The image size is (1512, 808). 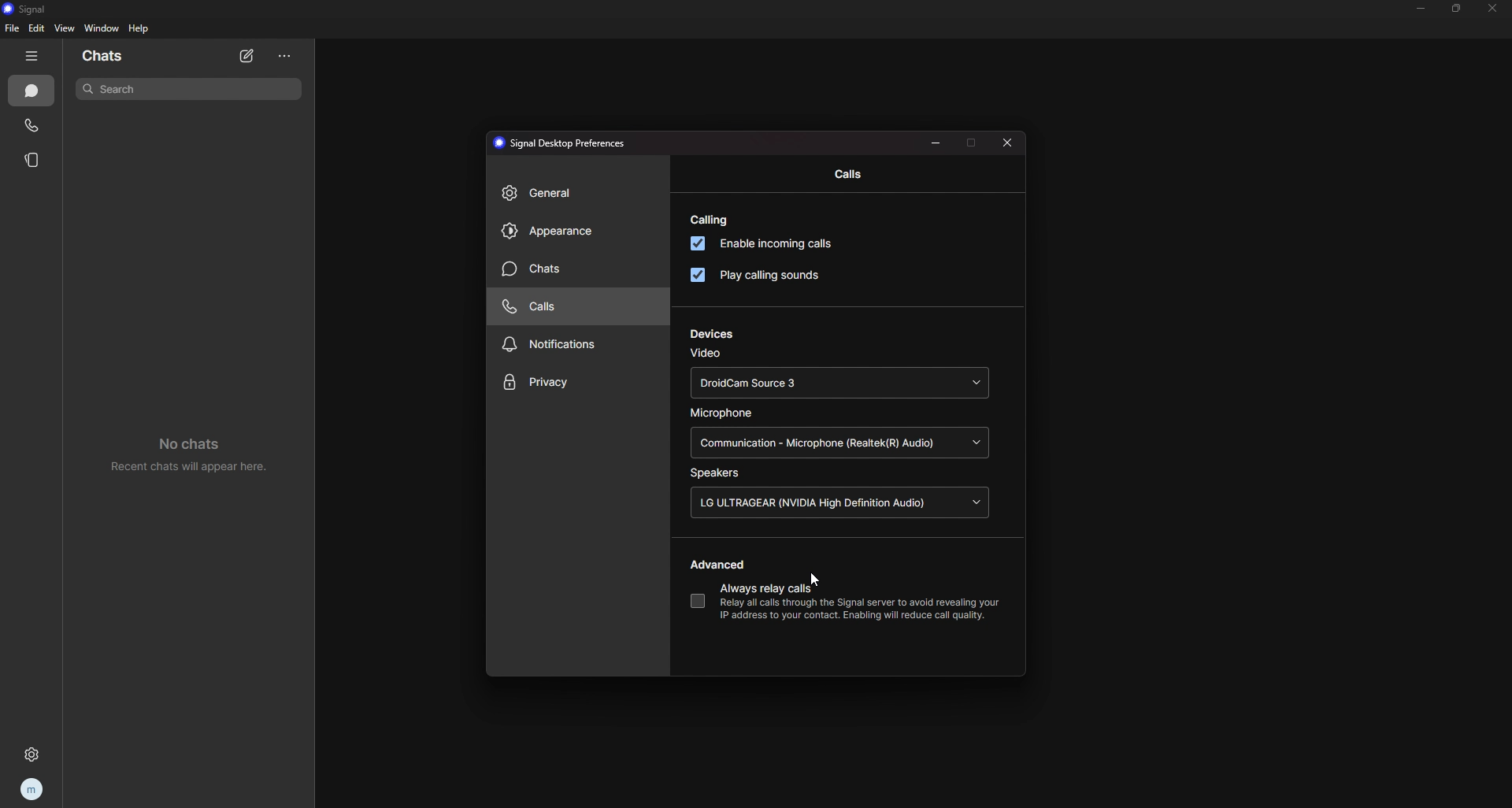 I want to click on signal desktop preferences, so click(x=564, y=143).